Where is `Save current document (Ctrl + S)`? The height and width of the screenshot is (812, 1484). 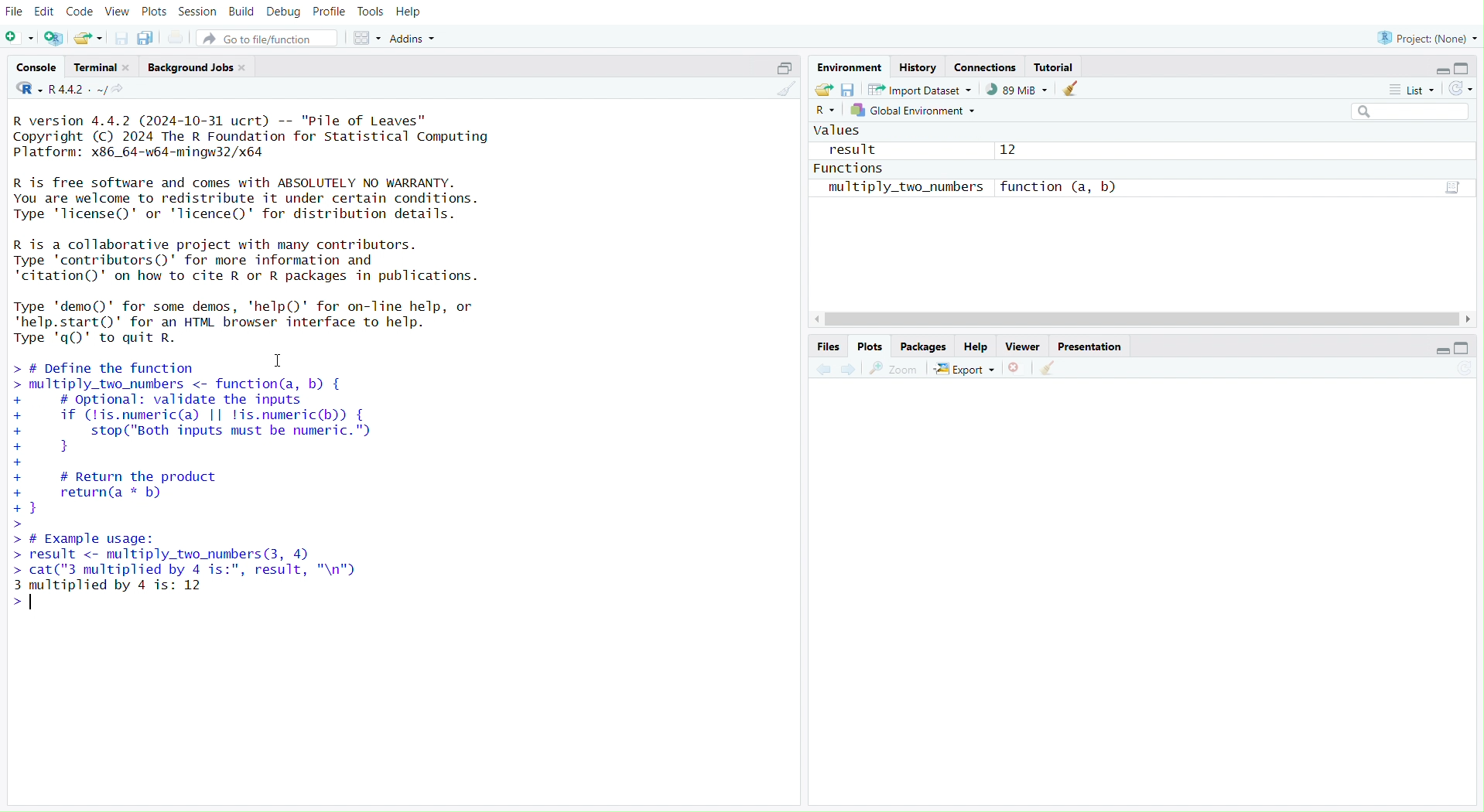
Save current document (Ctrl + S) is located at coordinates (117, 37).